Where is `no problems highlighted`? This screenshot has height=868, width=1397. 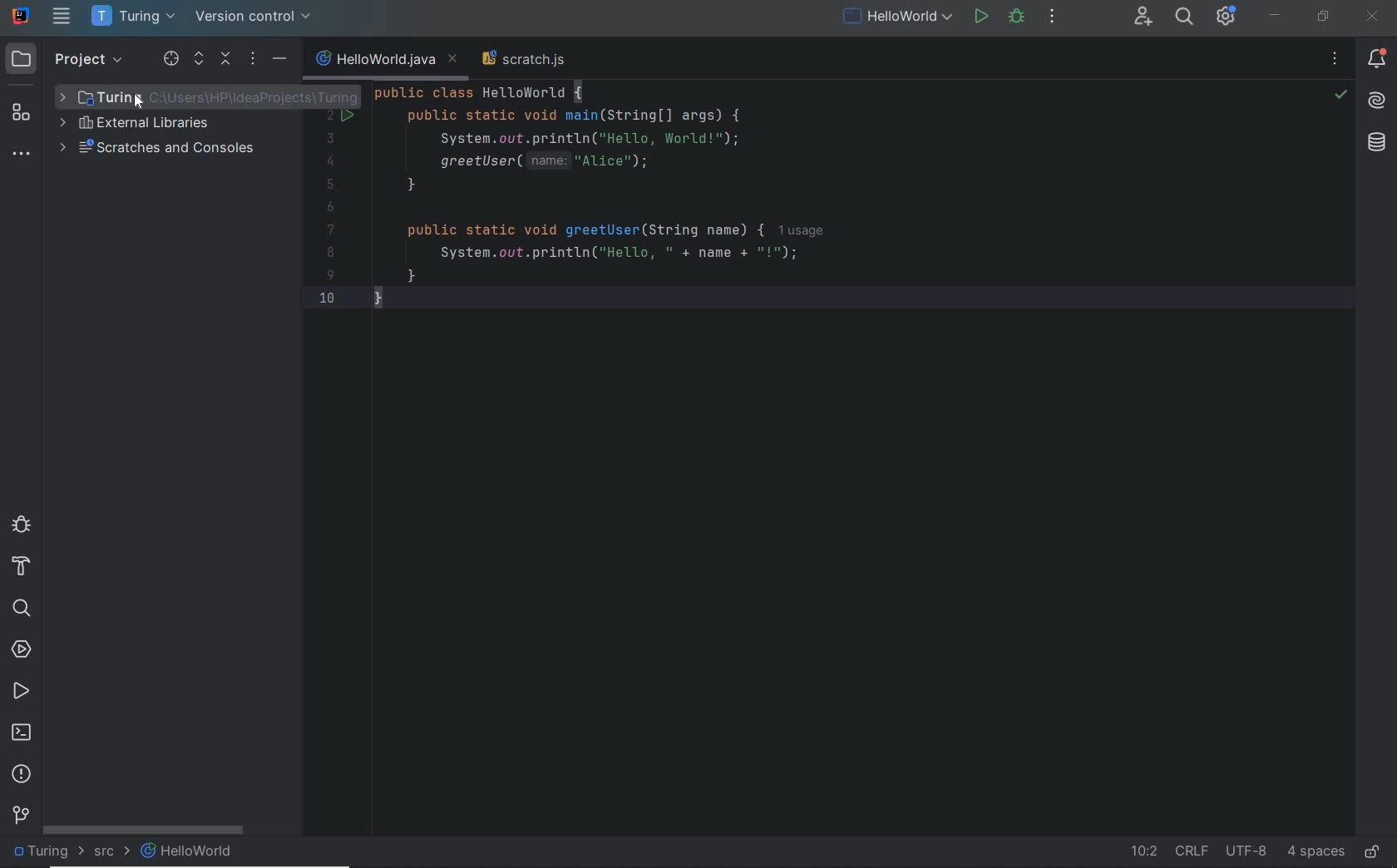 no problems highlighted is located at coordinates (1341, 95).